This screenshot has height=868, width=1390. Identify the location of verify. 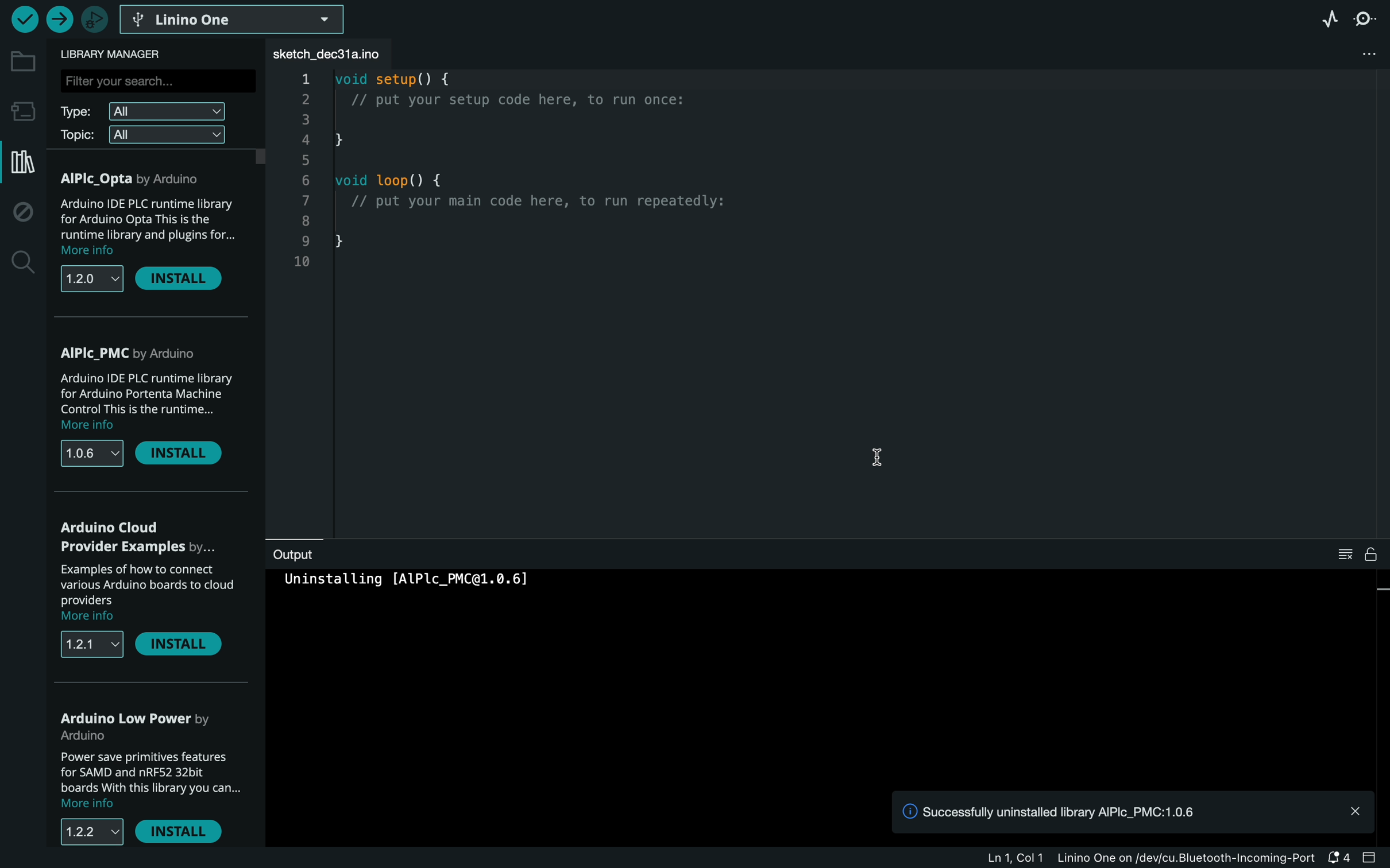
(25, 19).